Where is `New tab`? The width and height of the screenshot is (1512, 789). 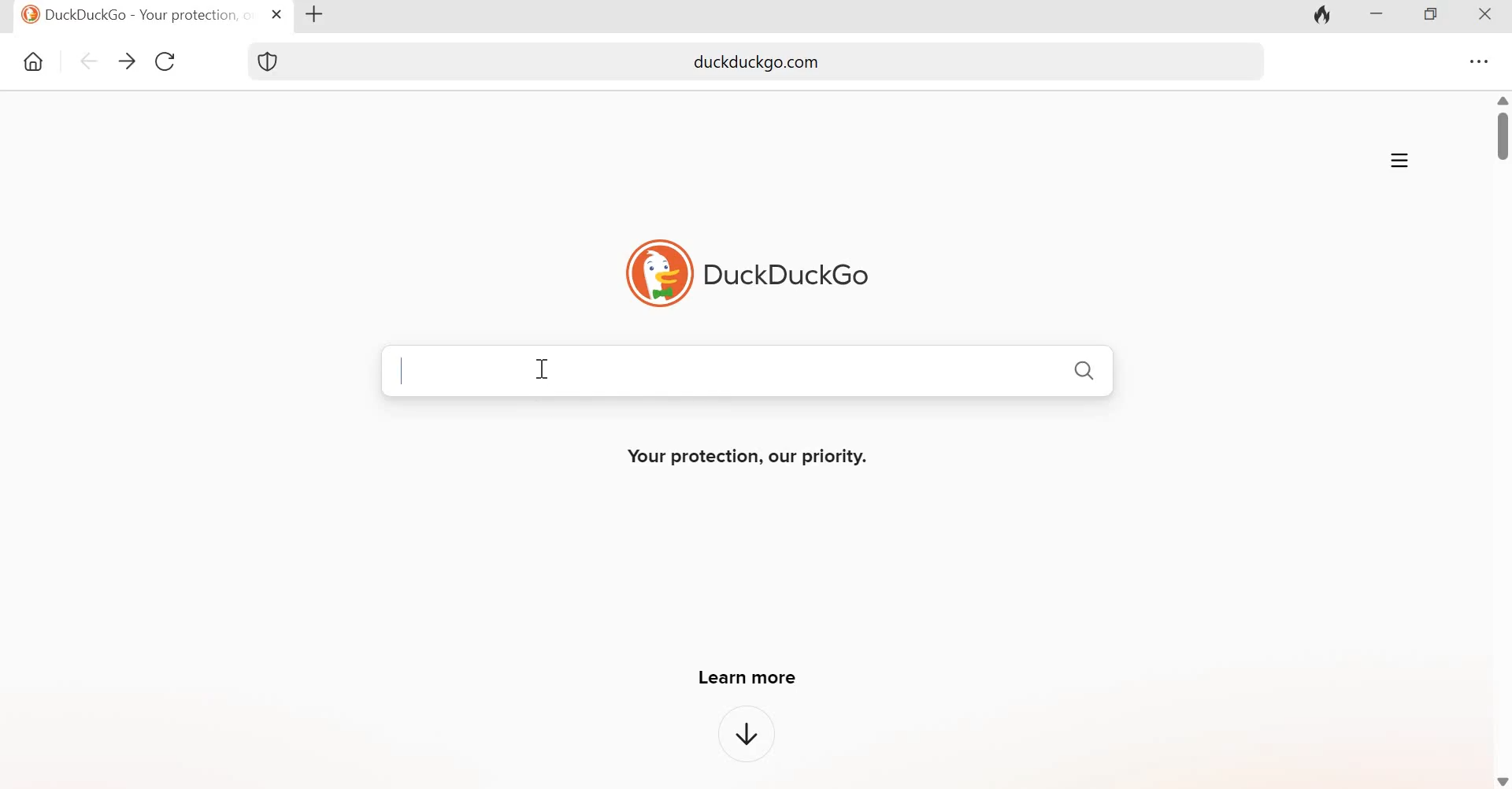
New tab is located at coordinates (321, 14).